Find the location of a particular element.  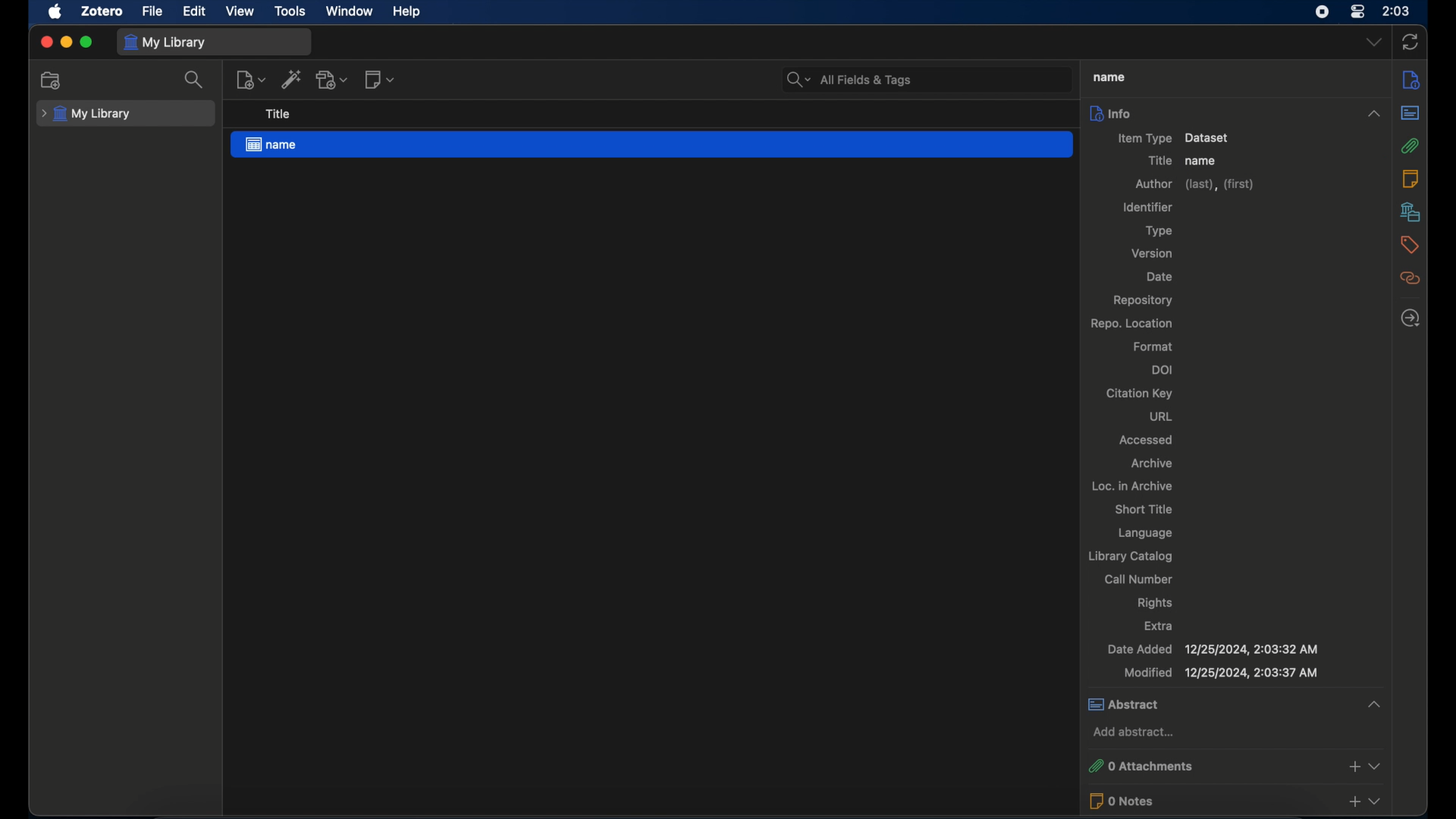

help is located at coordinates (406, 11).